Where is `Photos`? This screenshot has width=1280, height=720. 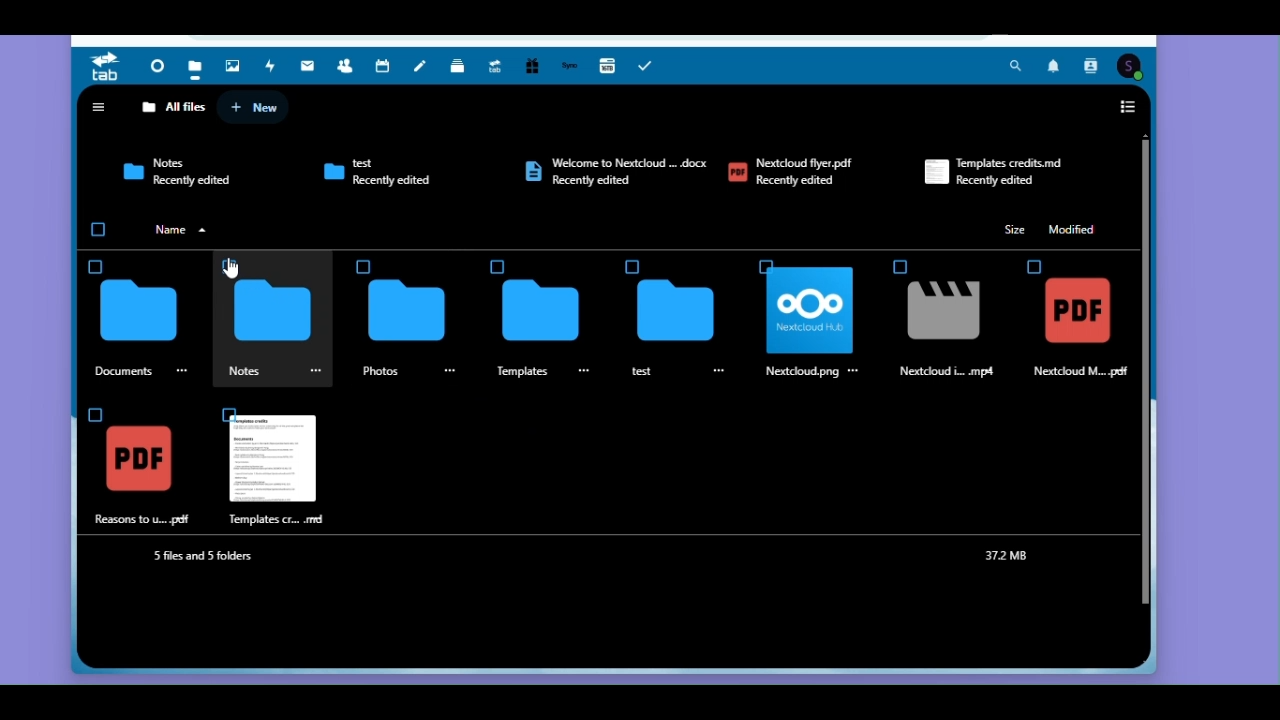 Photos is located at coordinates (381, 371).